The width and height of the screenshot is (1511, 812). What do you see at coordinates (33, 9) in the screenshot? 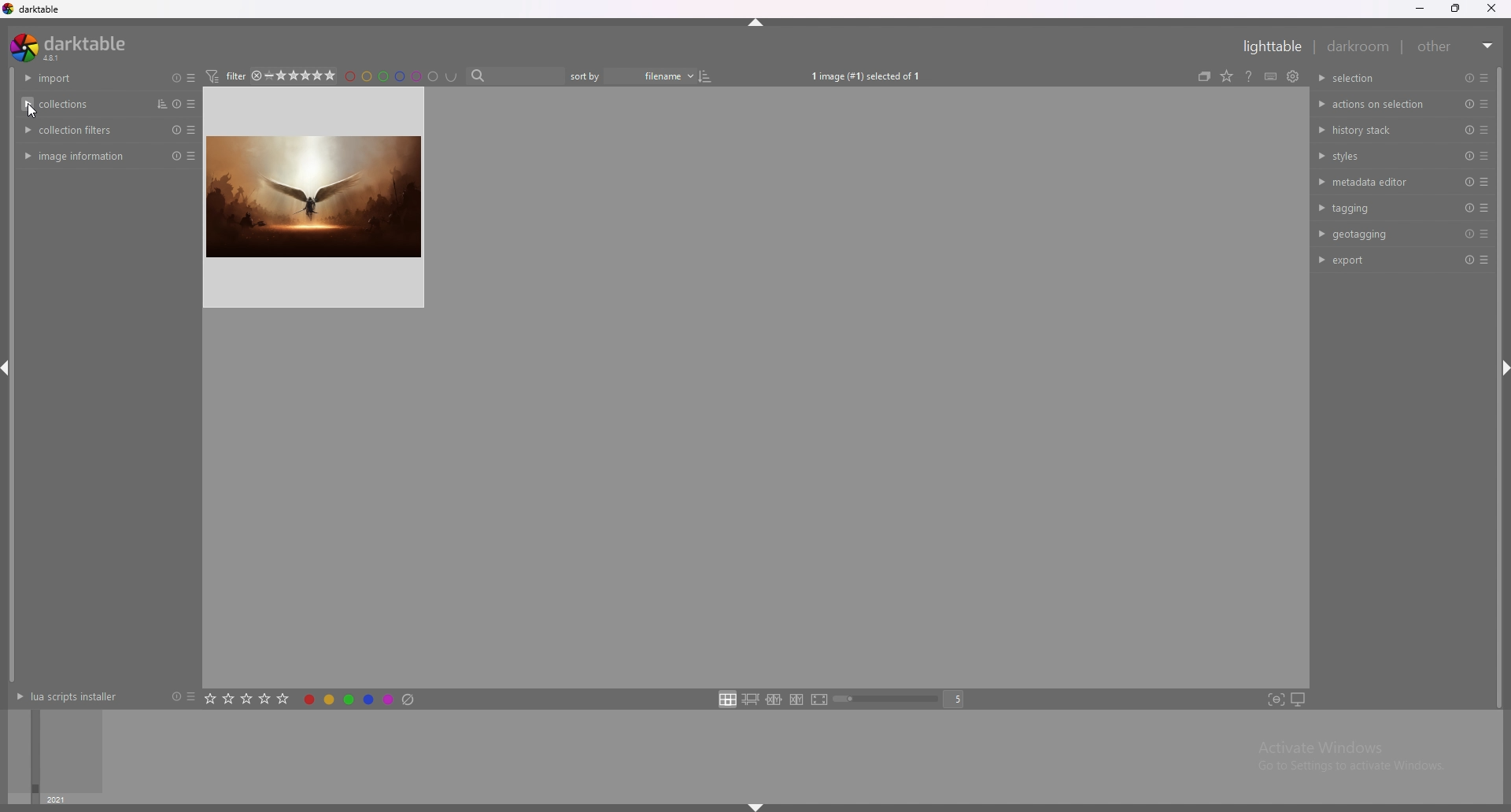
I see `darktable` at bounding box center [33, 9].